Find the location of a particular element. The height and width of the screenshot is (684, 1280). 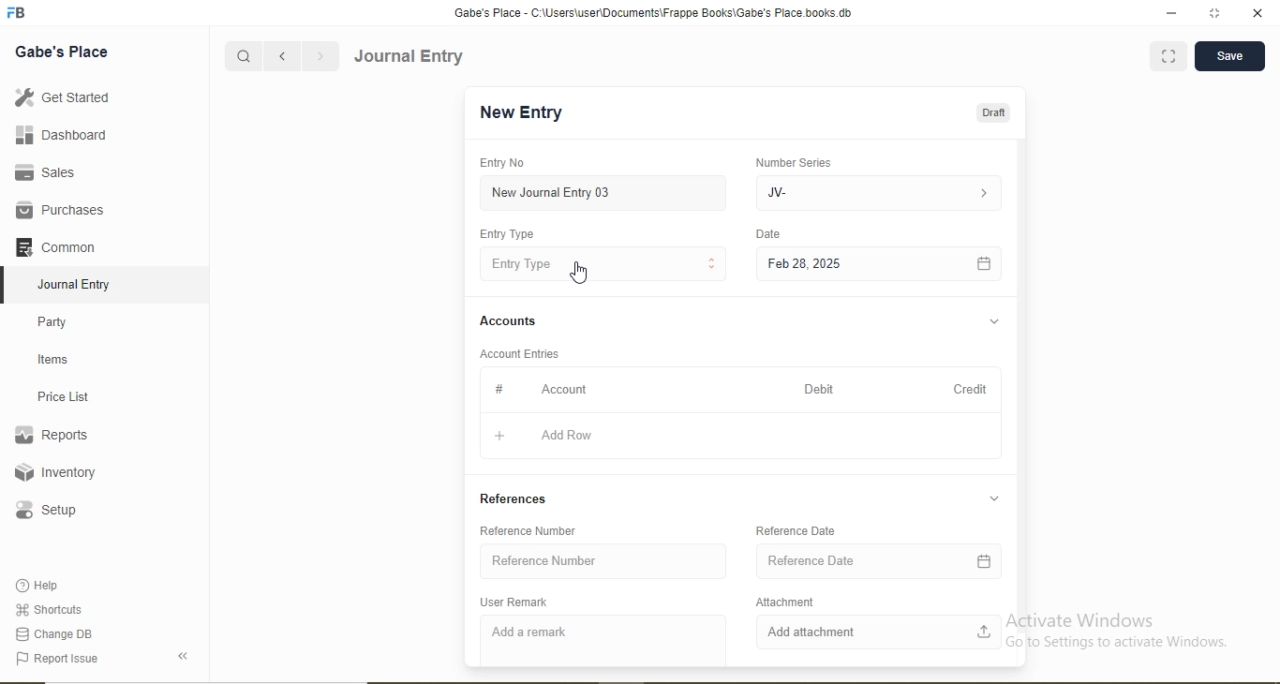

Account is located at coordinates (564, 390).